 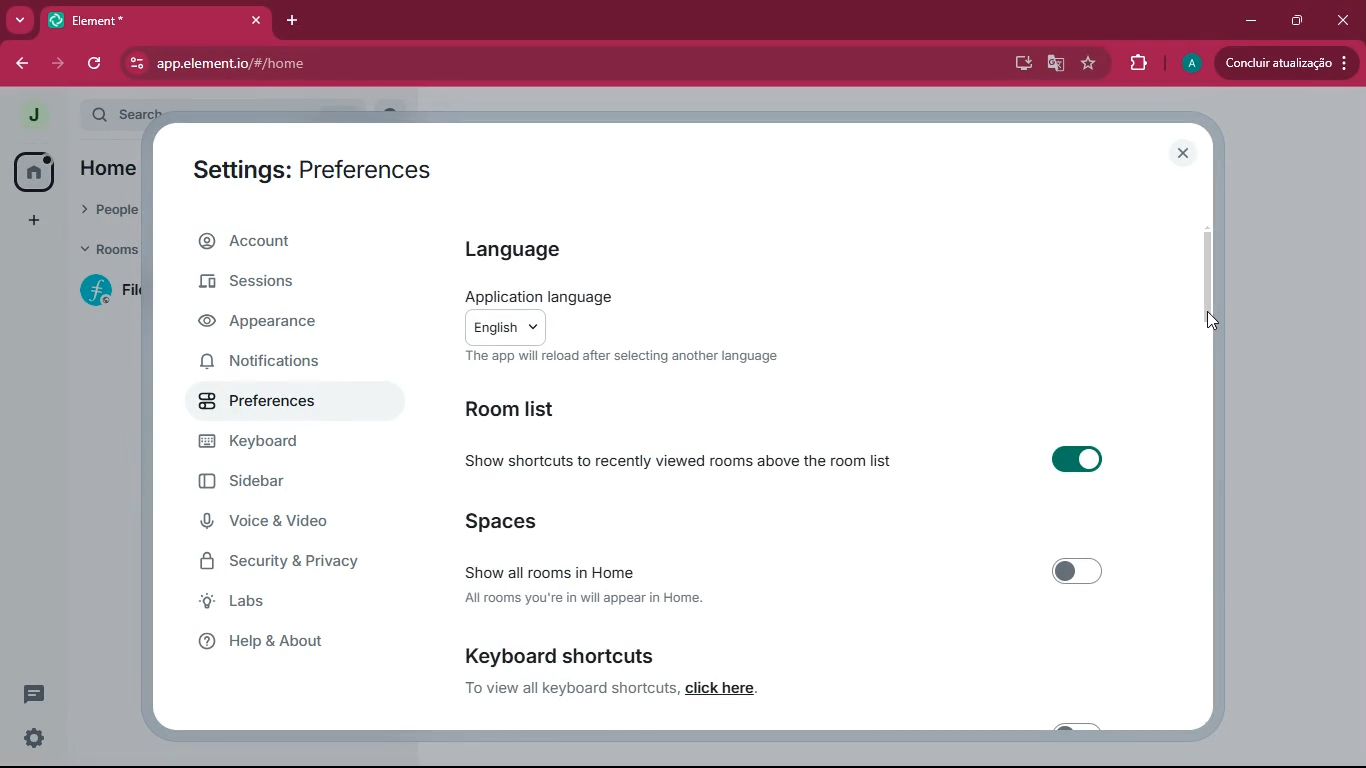 I want to click on minimize, so click(x=1247, y=21).